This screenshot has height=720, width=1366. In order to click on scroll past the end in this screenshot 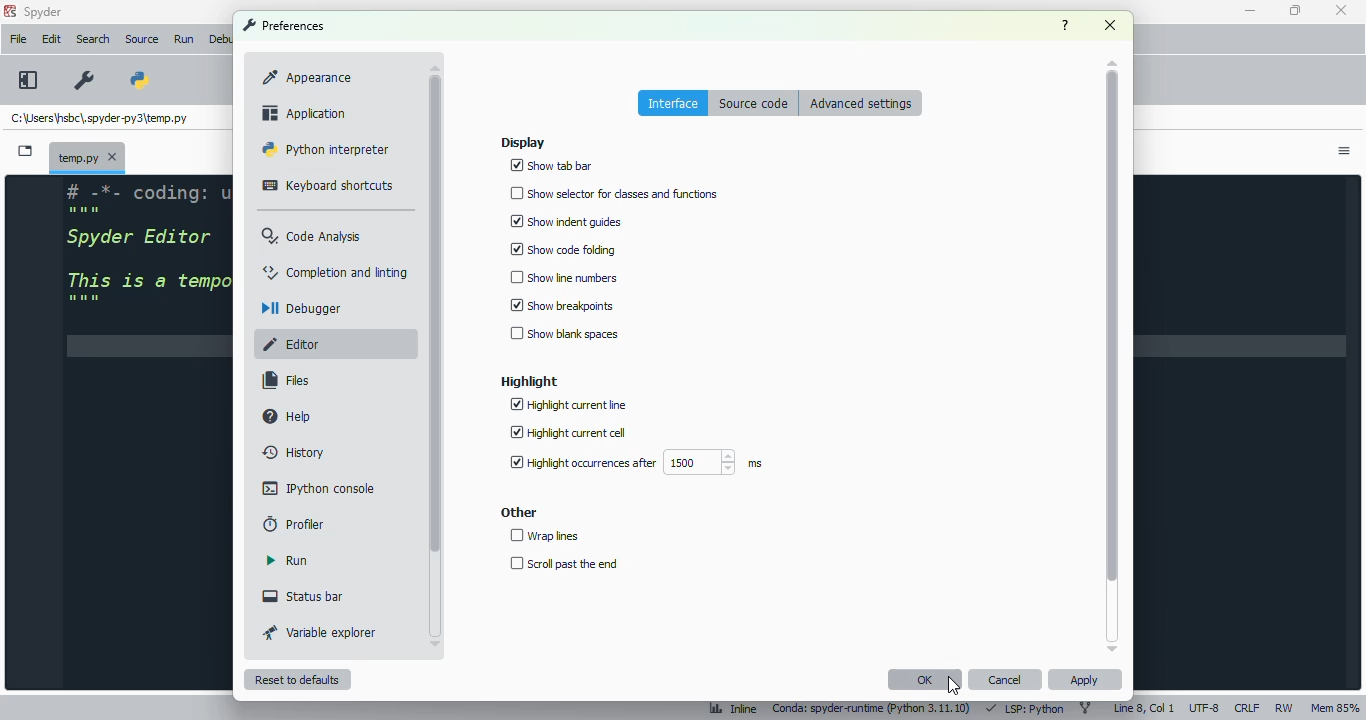, I will do `click(563, 563)`.